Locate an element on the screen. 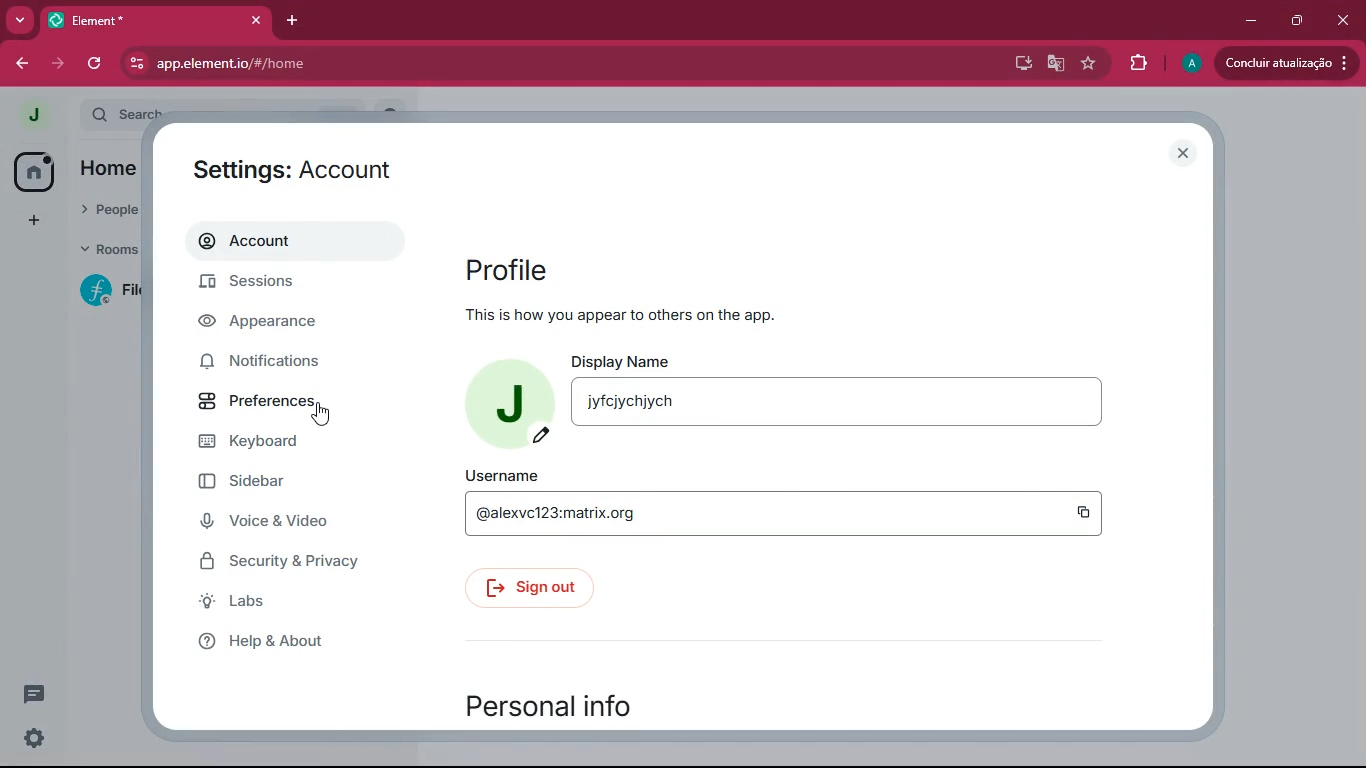 The width and height of the screenshot is (1366, 768). profile is located at coordinates (515, 267).